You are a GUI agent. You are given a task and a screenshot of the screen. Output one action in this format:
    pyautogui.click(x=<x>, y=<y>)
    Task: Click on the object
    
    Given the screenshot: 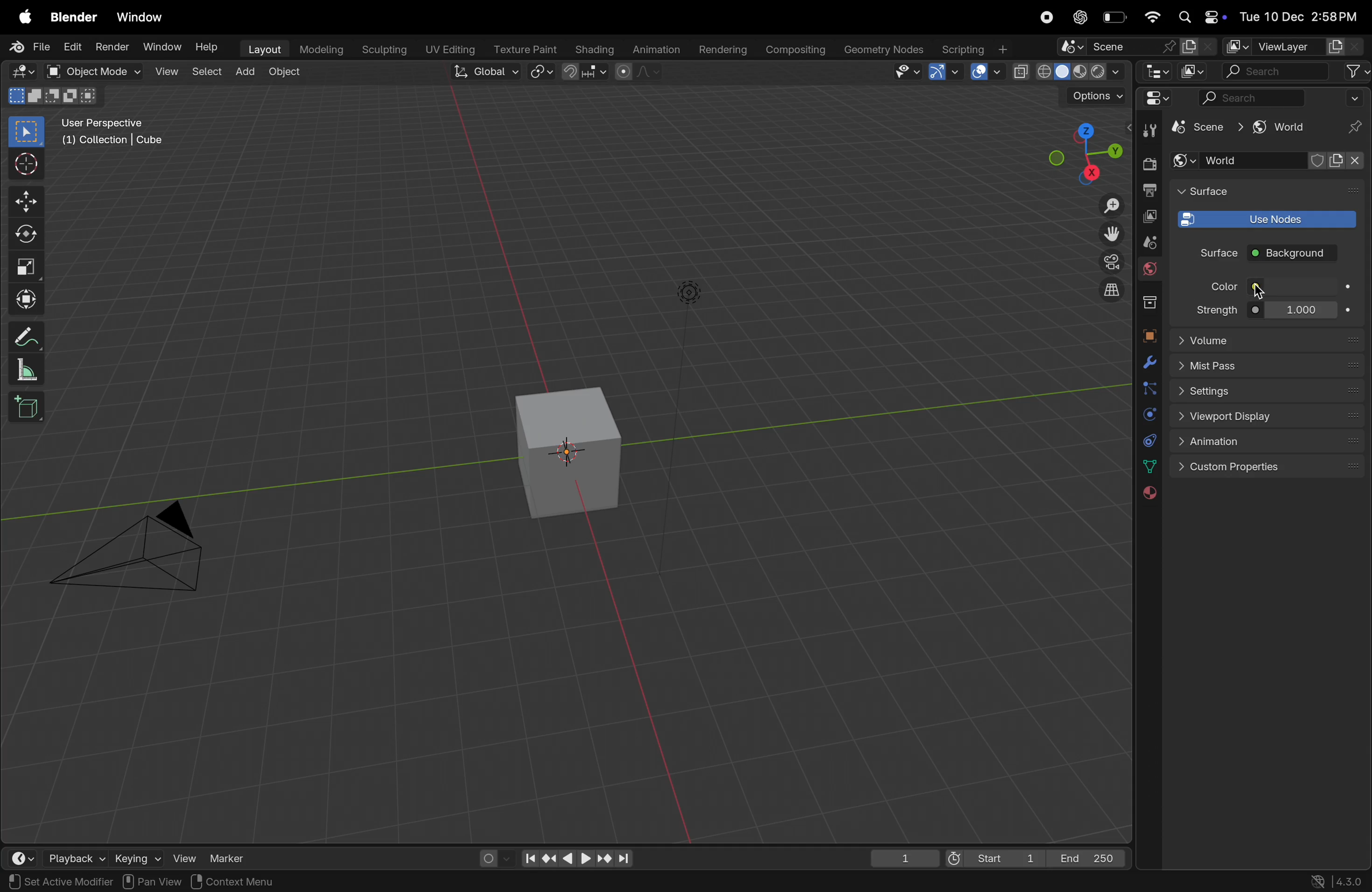 What is the action you would take?
    pyautogui.click(x=1148, y=333)
    